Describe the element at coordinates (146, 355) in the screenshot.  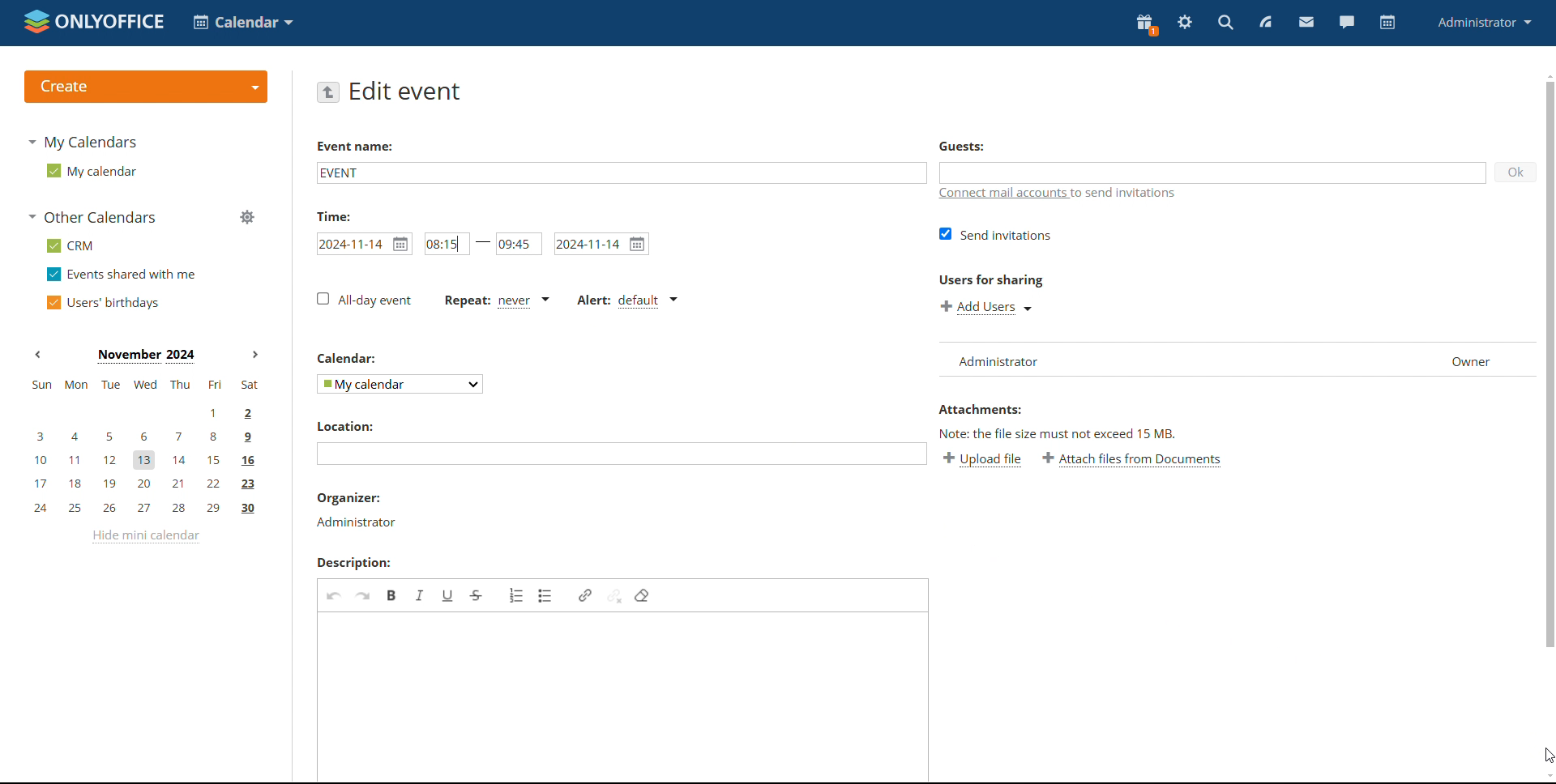
I see `current month` at that location.